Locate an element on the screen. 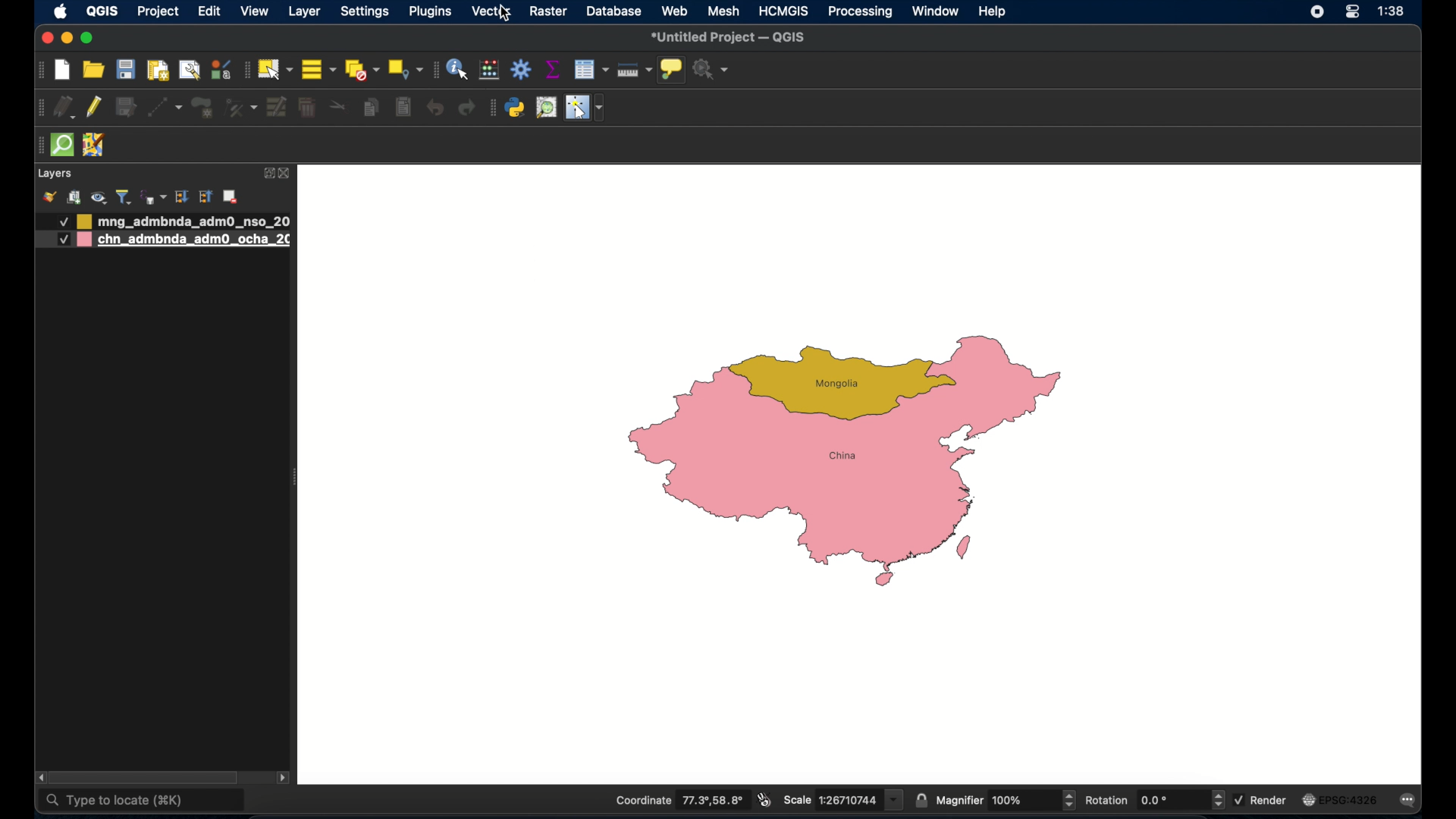  toolbox is located at coordinates (521, 68).